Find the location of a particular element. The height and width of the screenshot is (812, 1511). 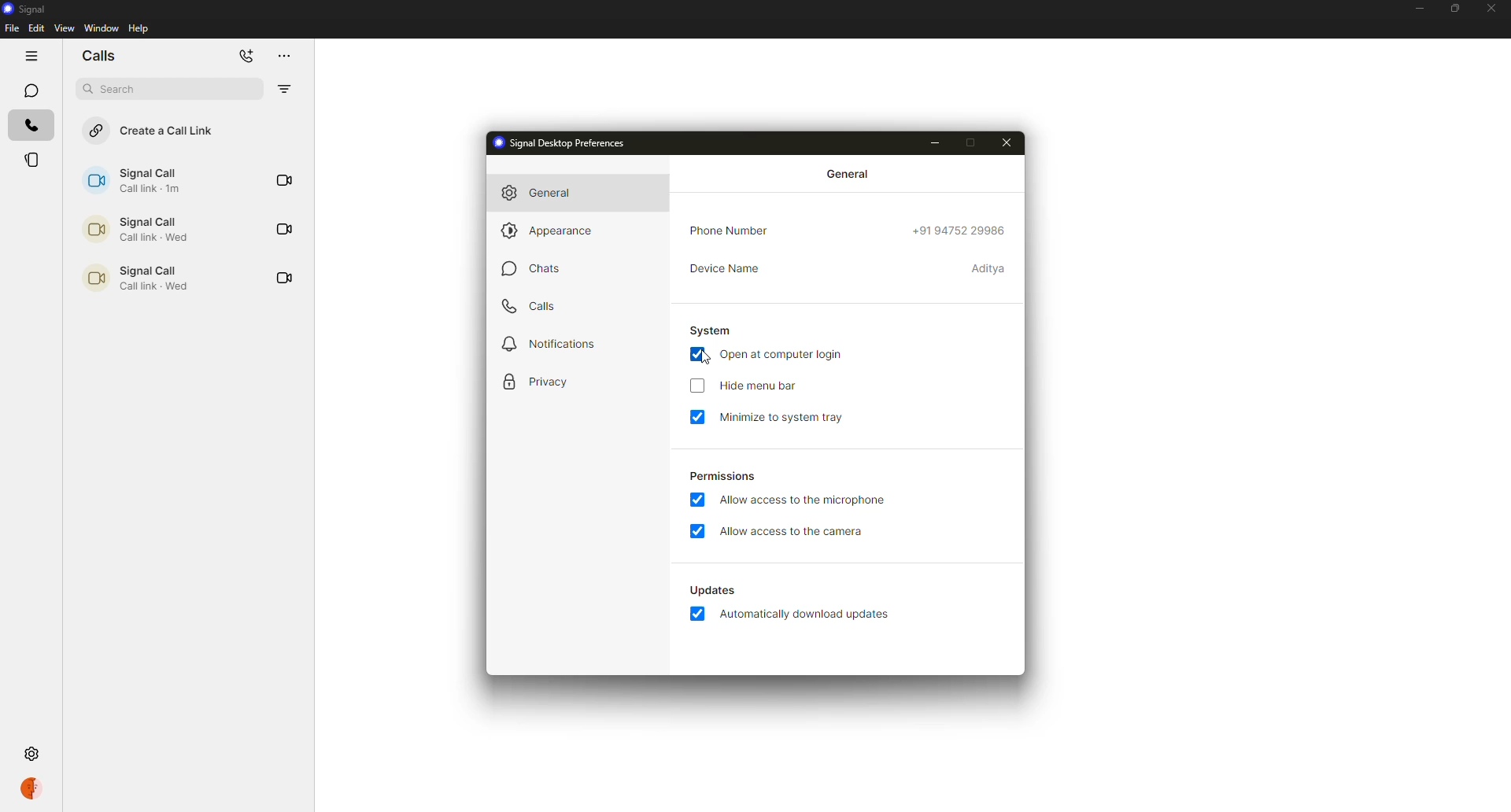

calls is located at coordinates (530, 305).